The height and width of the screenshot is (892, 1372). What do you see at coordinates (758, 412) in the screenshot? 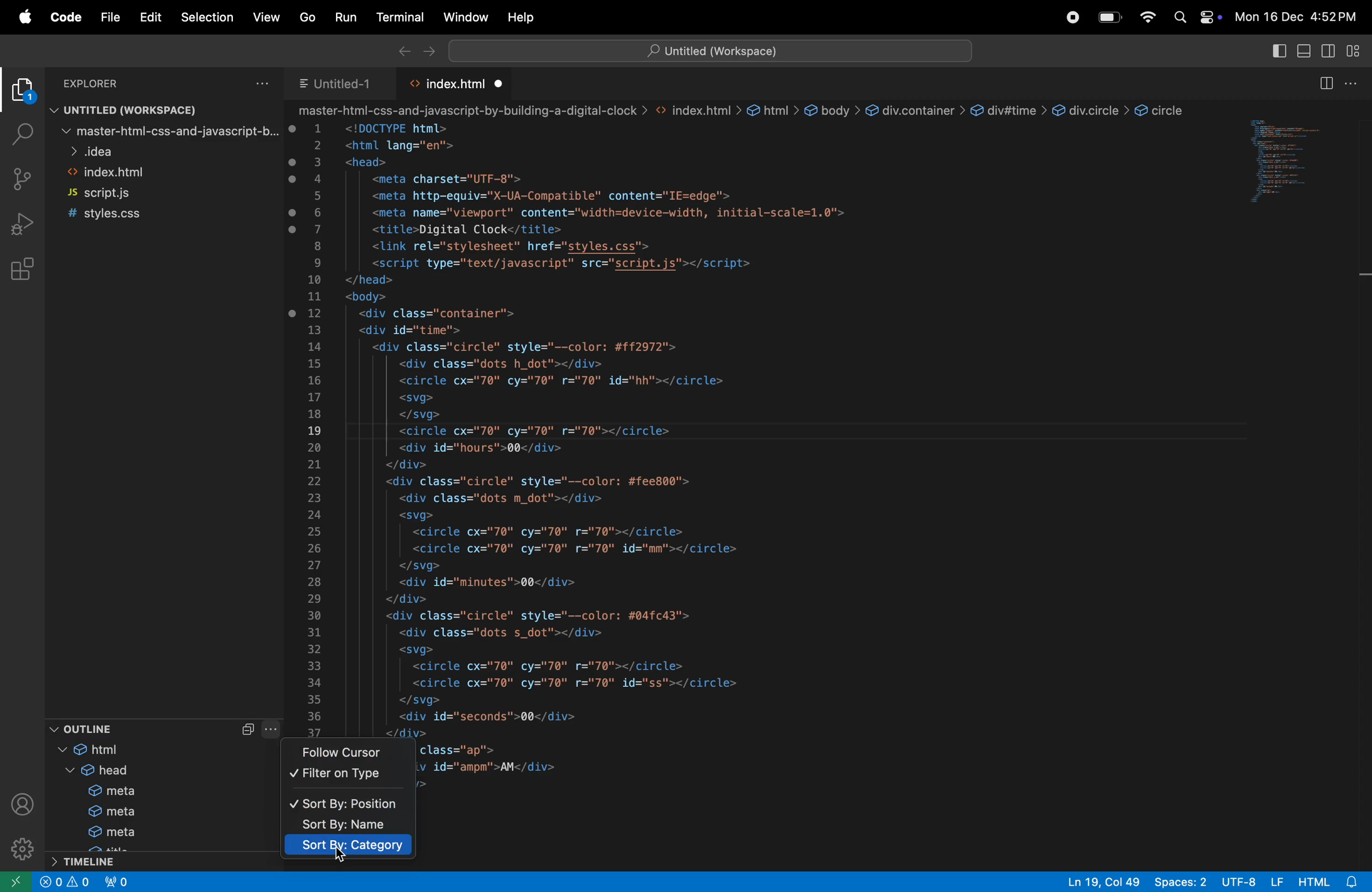
I see `code block about the web page using html` at bounding box center [758, 412].